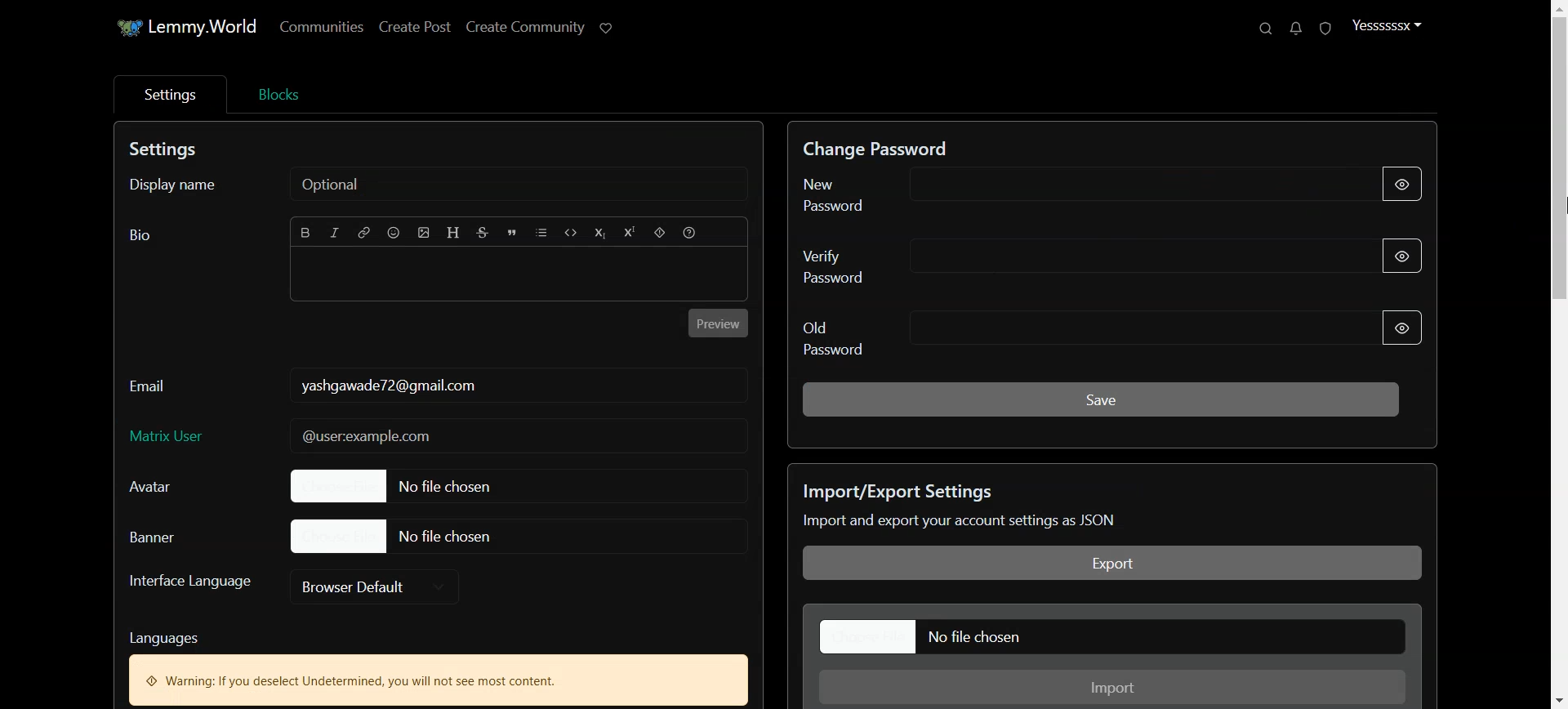 Image resolution: width=1568 pixels, height=709 pixels. I want to click on Avatar, so click(163, 485).